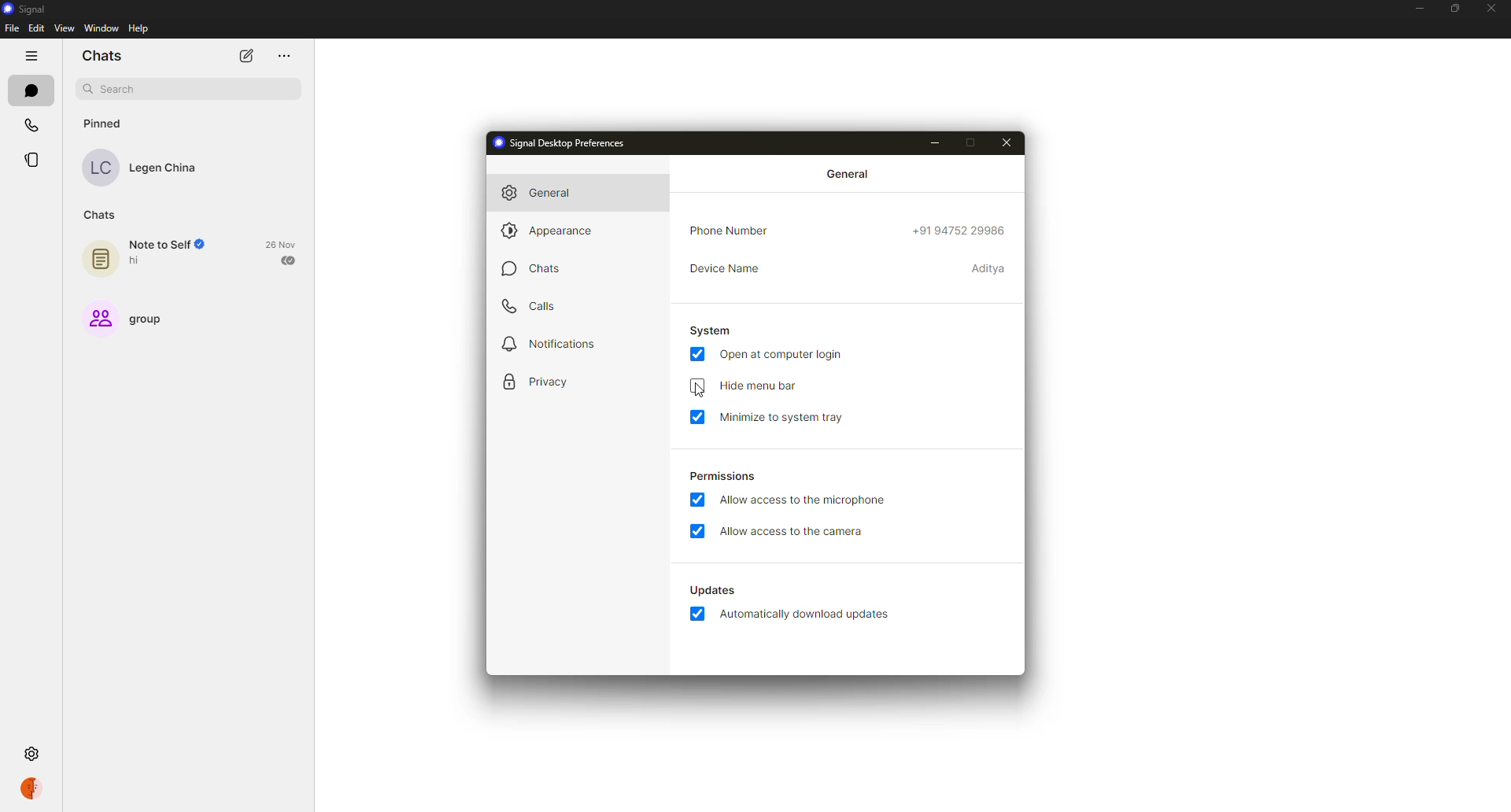  Describe the element at coordinates (537, 307) in the screenshot. I see `calls` at that location.